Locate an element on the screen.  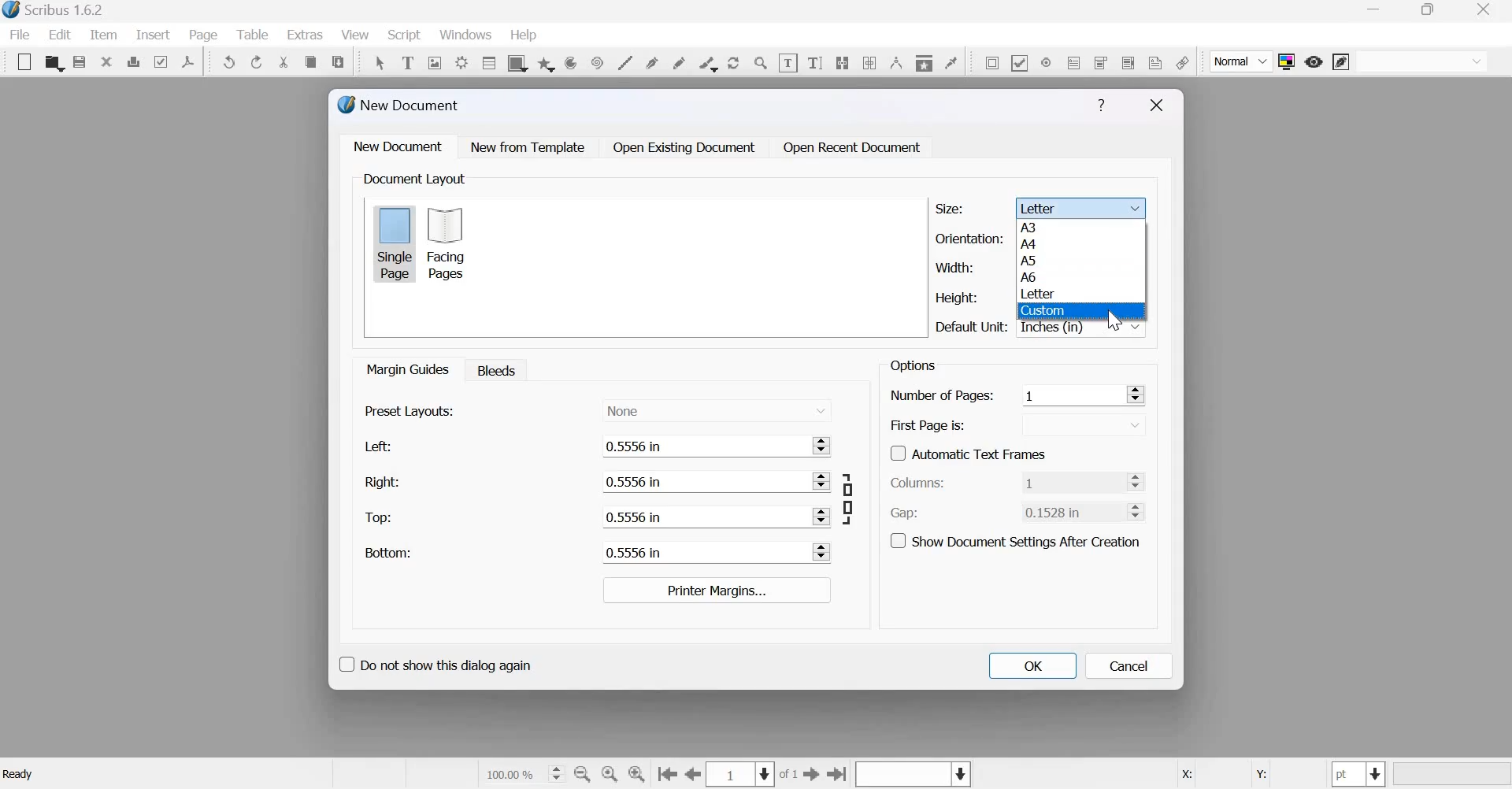
PDF list box is located at coordinates (1127, 61).